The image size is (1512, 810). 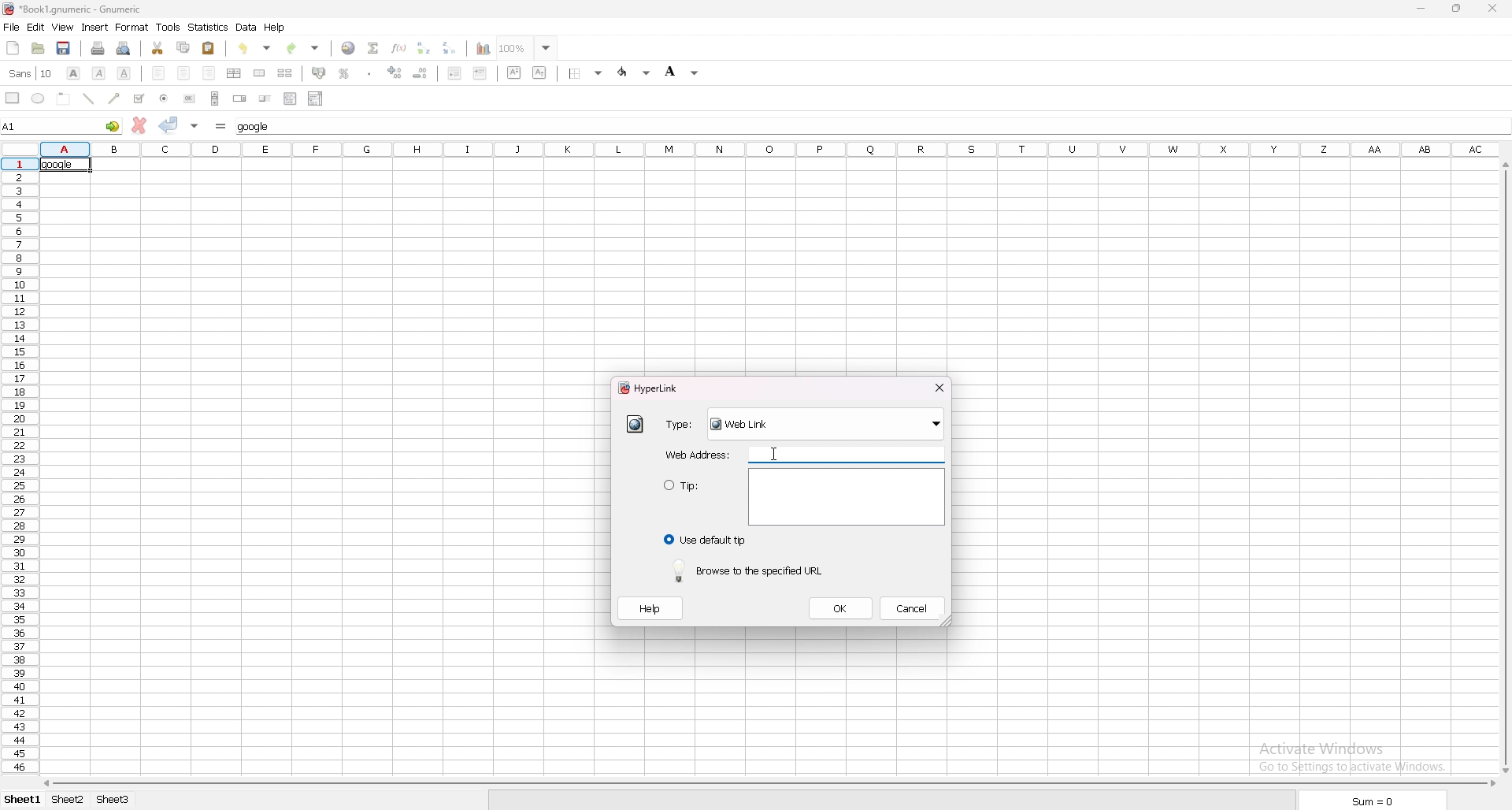 I want to click on tickbox, so click(x=139, y=98).